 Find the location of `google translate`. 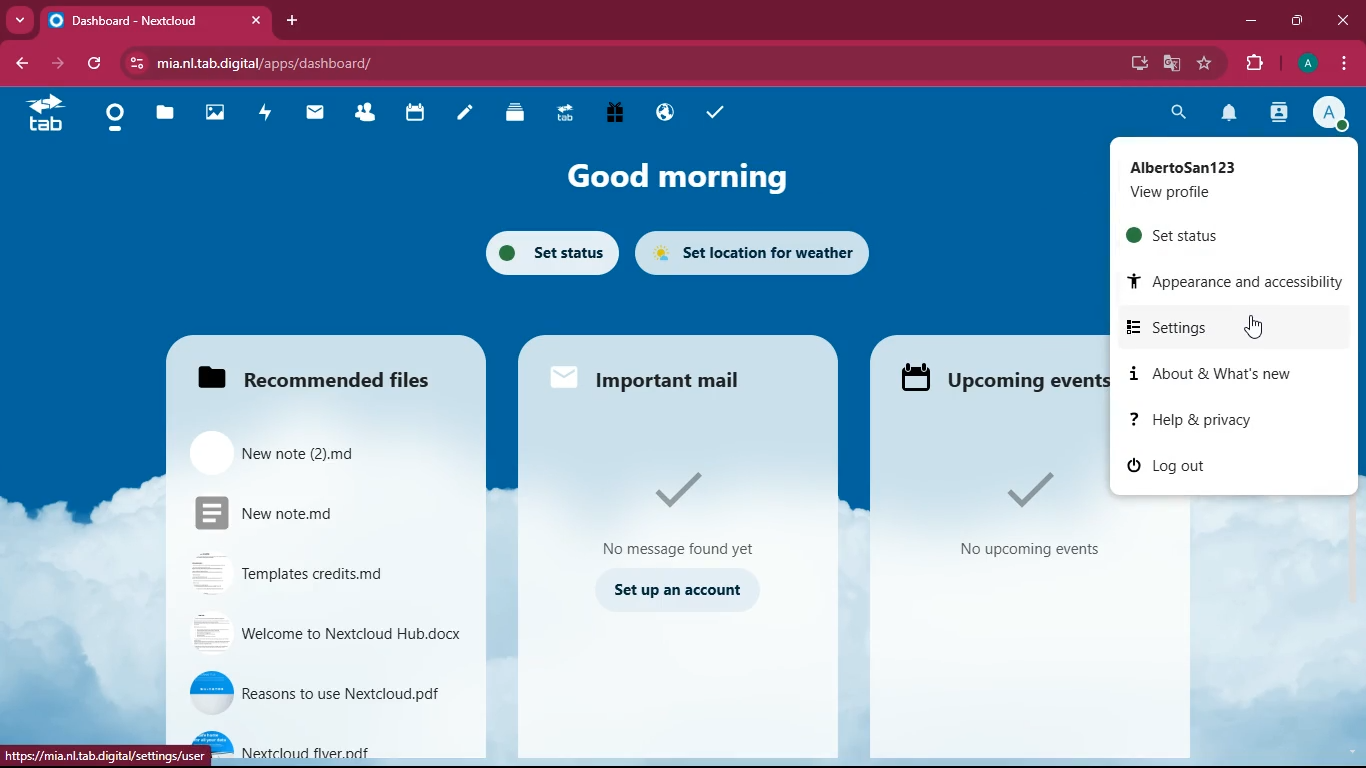

google translate is located at coordinates (1170, 64).